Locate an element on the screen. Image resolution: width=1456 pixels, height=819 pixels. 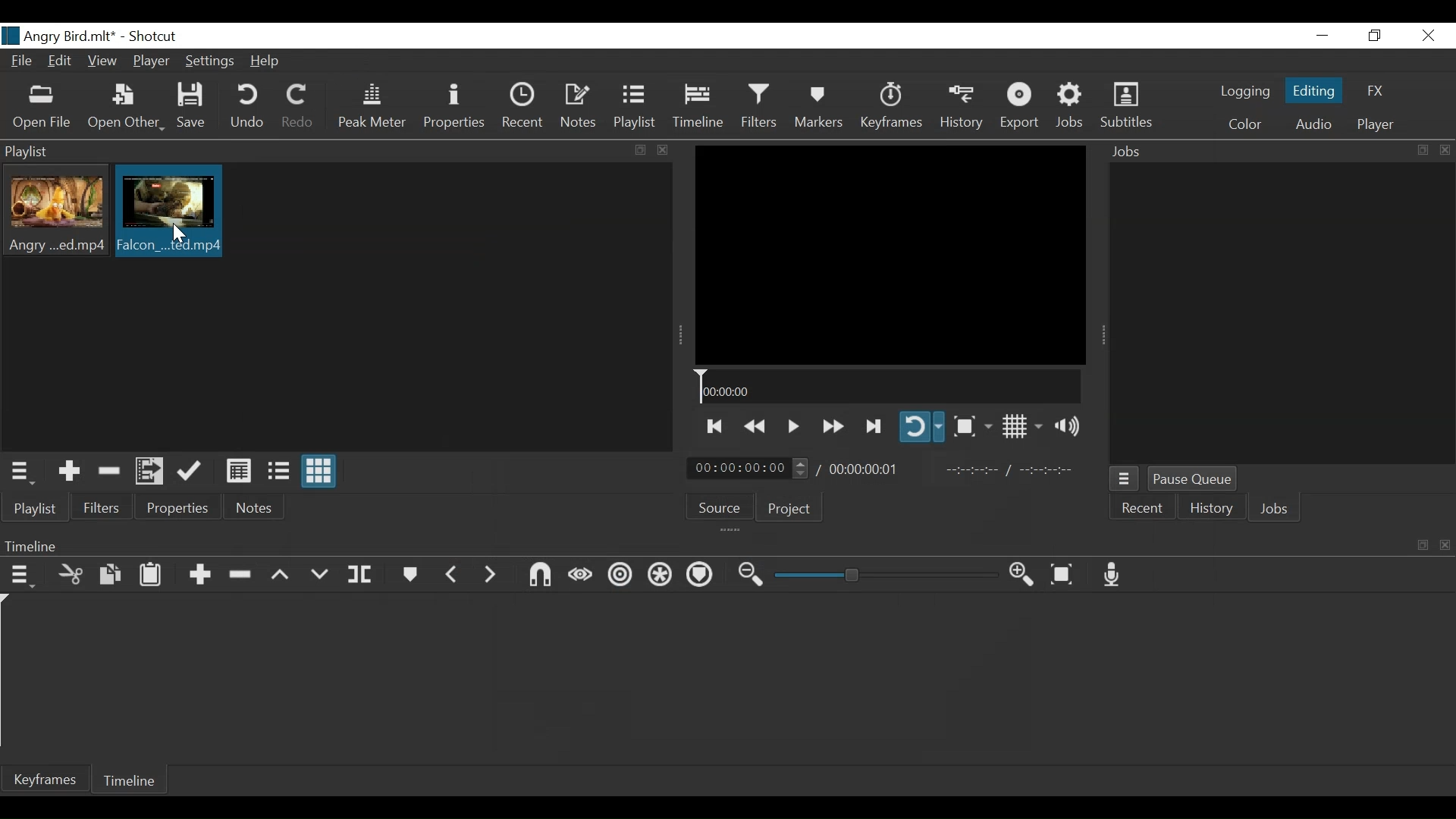
Timeline cursor is located at coordinates (9, 673).